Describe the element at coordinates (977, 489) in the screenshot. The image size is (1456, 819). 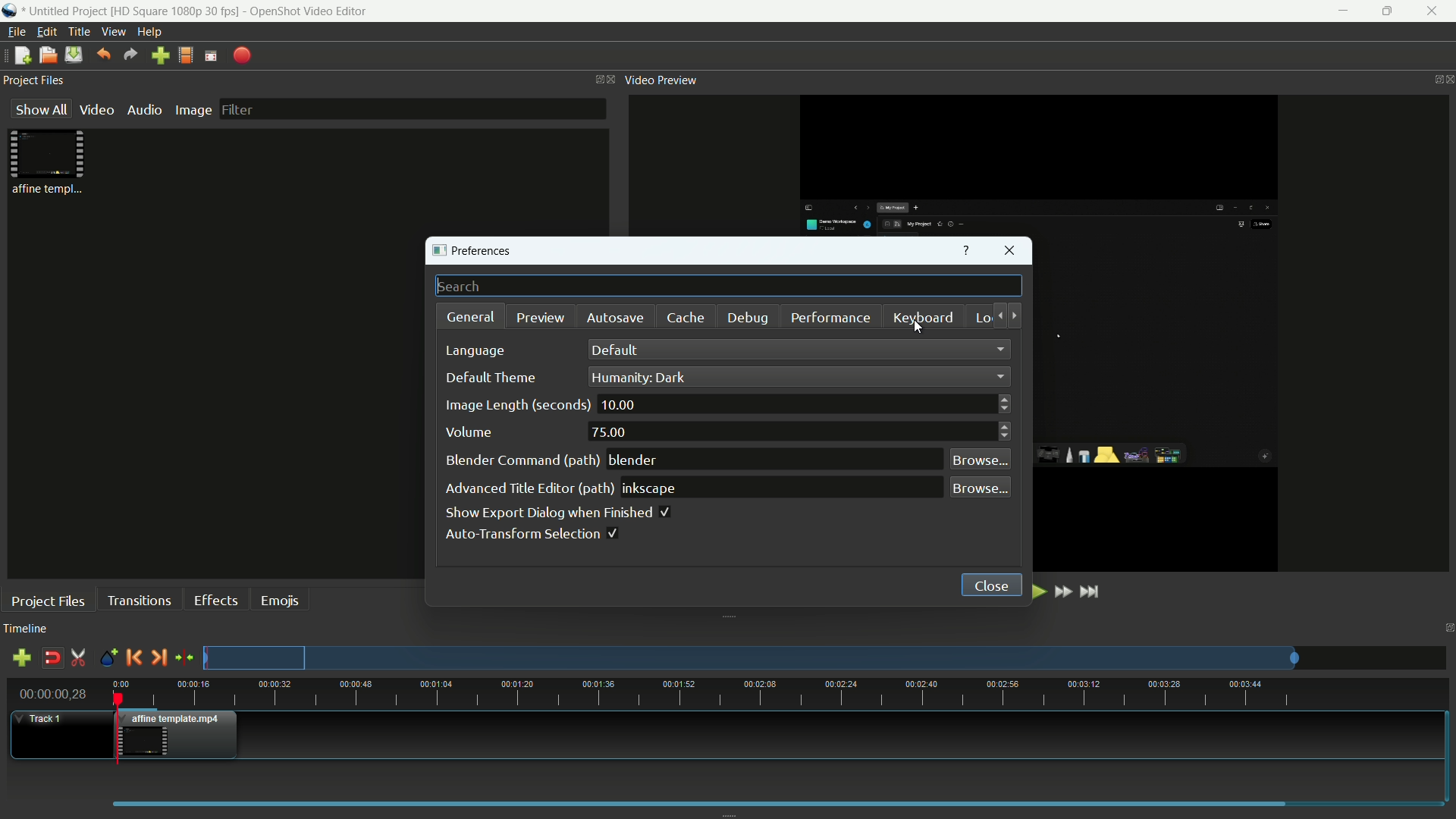
I see `browse` at that location.